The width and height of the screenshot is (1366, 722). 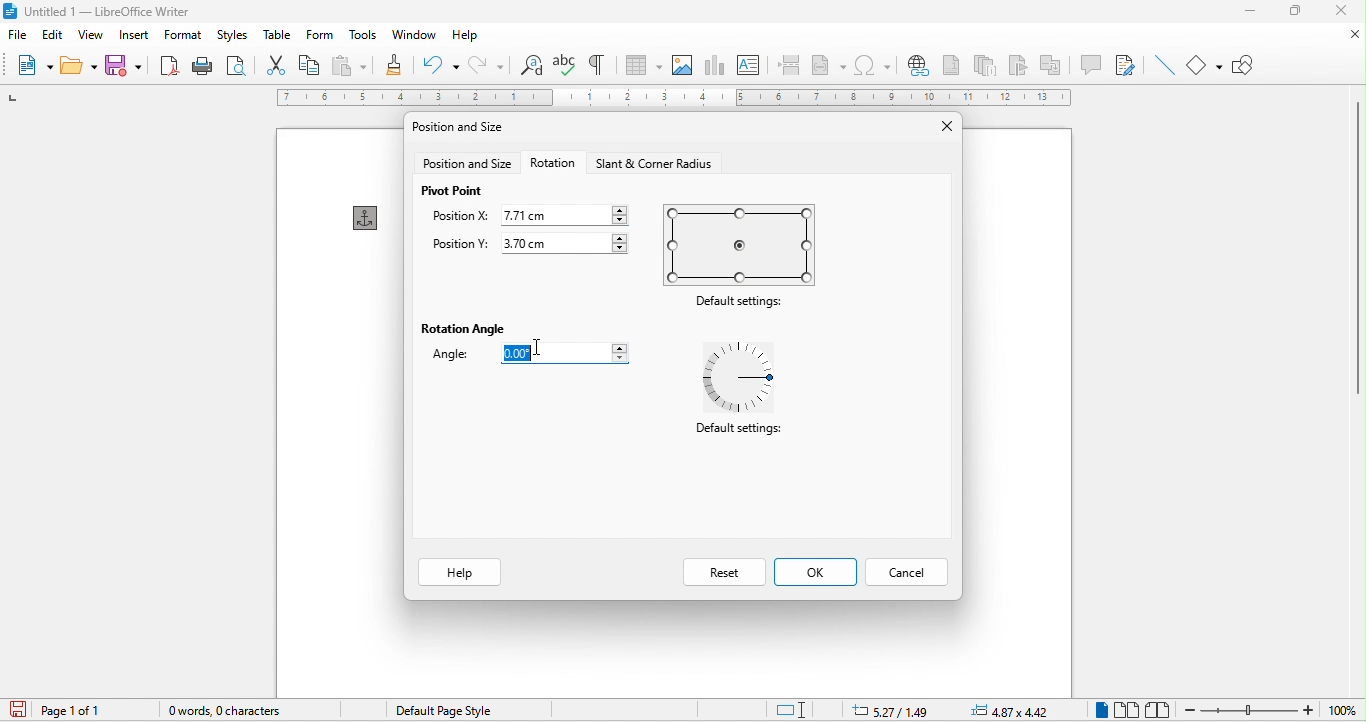 I want to click on clone formatting, so click(x=392, y=66).